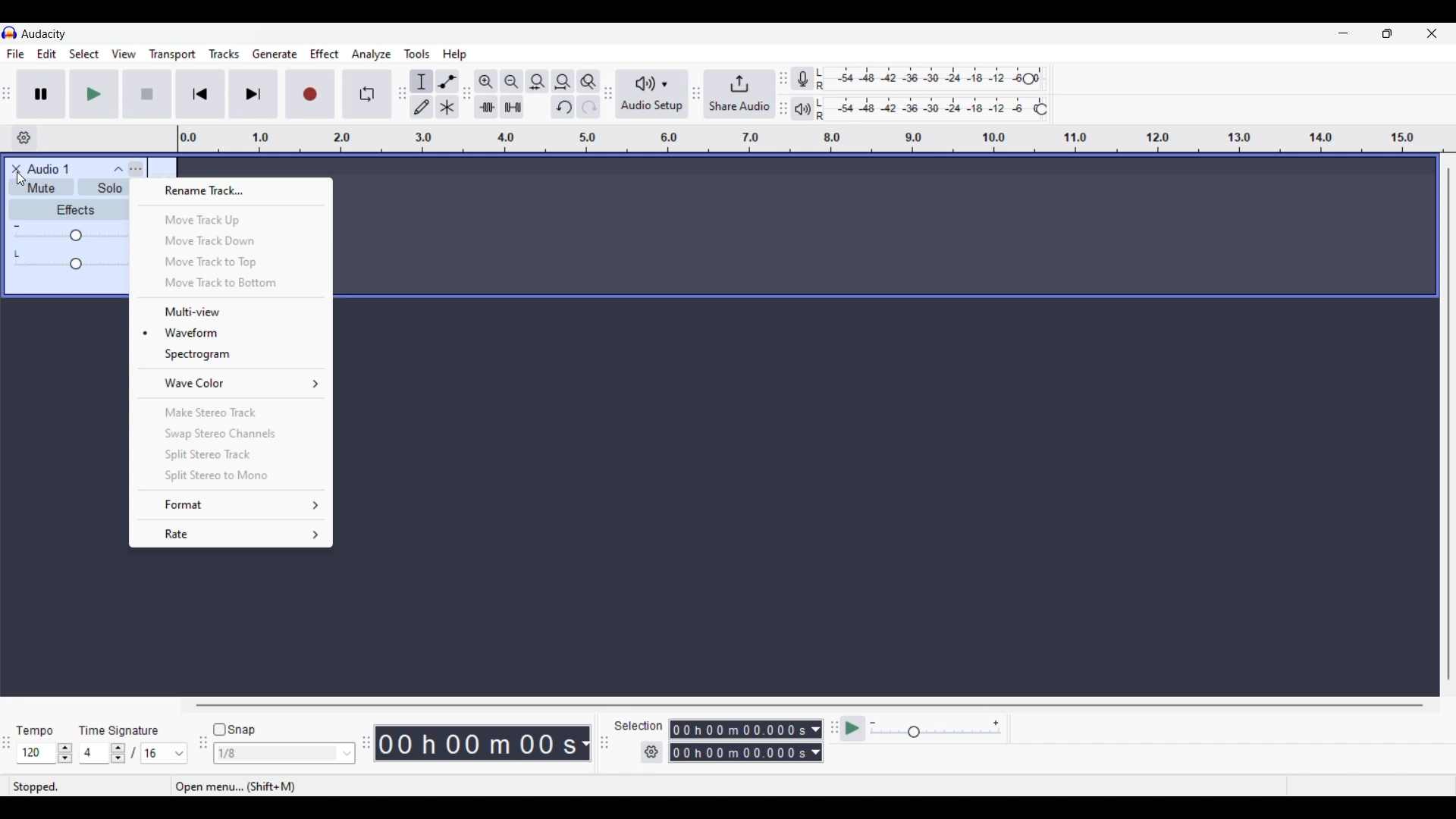  Describe the element at coordinates (44, 33) in the screenshot. I see `Software name` at that location.